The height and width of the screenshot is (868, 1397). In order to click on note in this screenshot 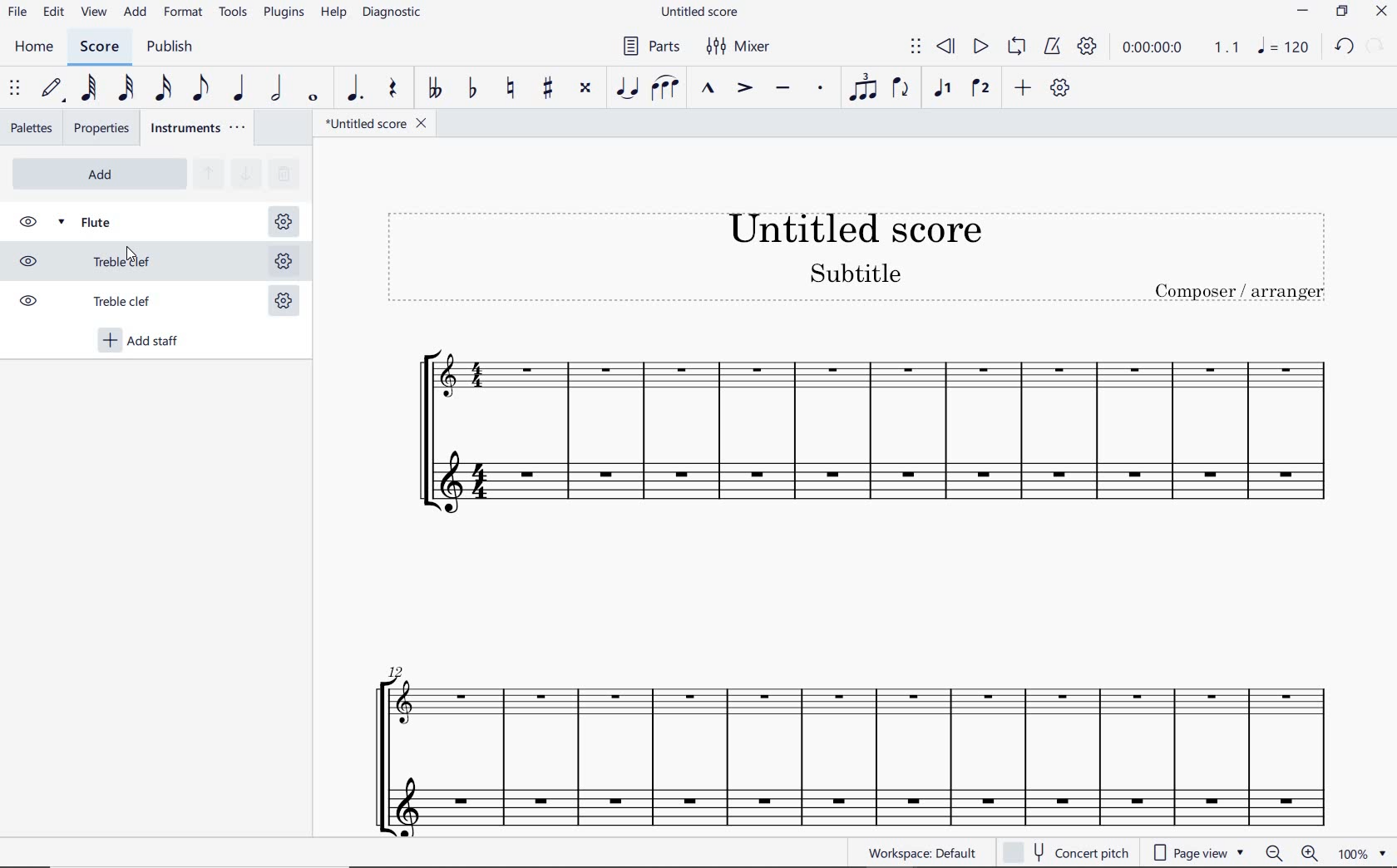, I will do `click(1287, 46)`.